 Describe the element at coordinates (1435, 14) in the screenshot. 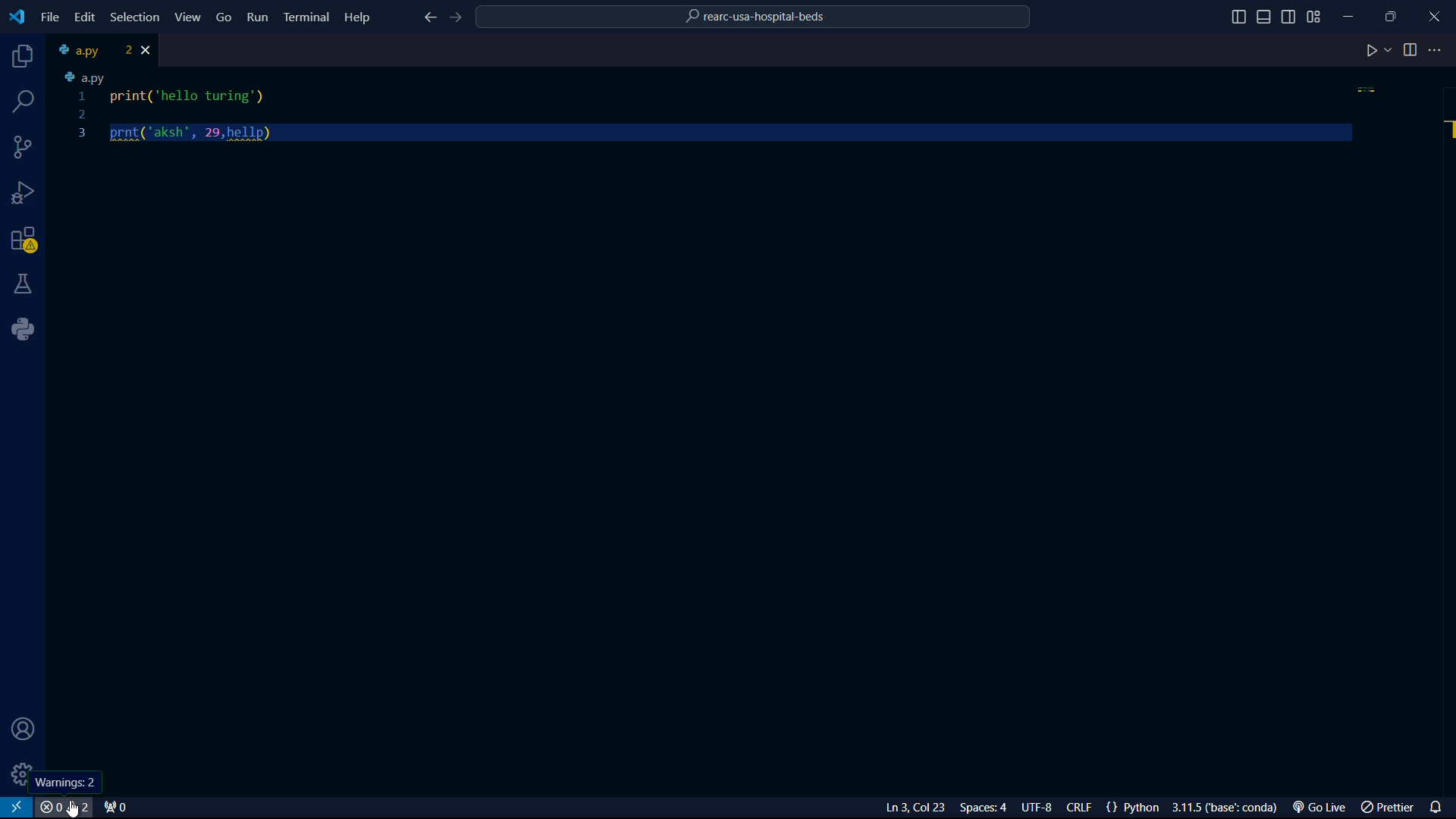

I see `close program` at that location.